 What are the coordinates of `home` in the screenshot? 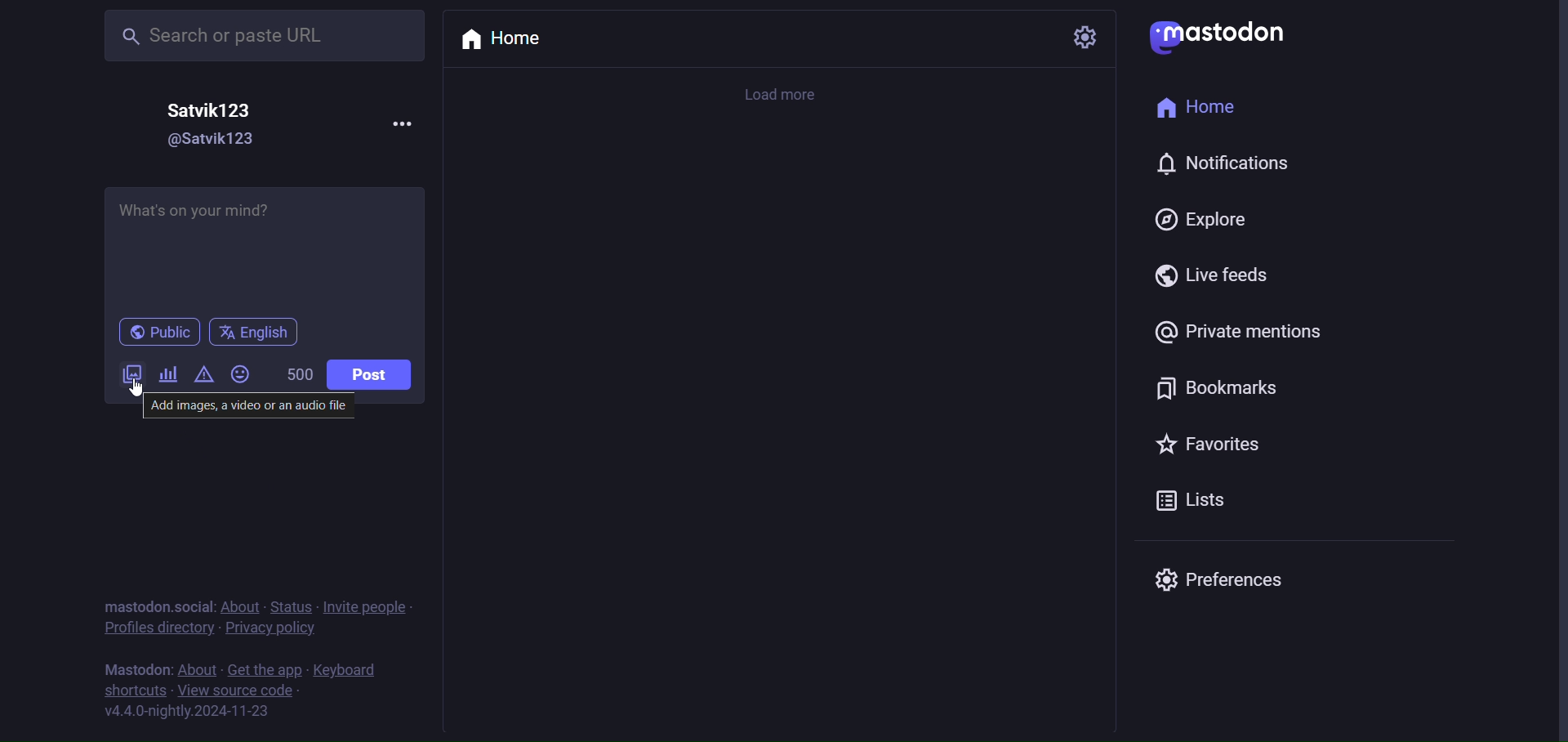 It's located at (1205, 108).